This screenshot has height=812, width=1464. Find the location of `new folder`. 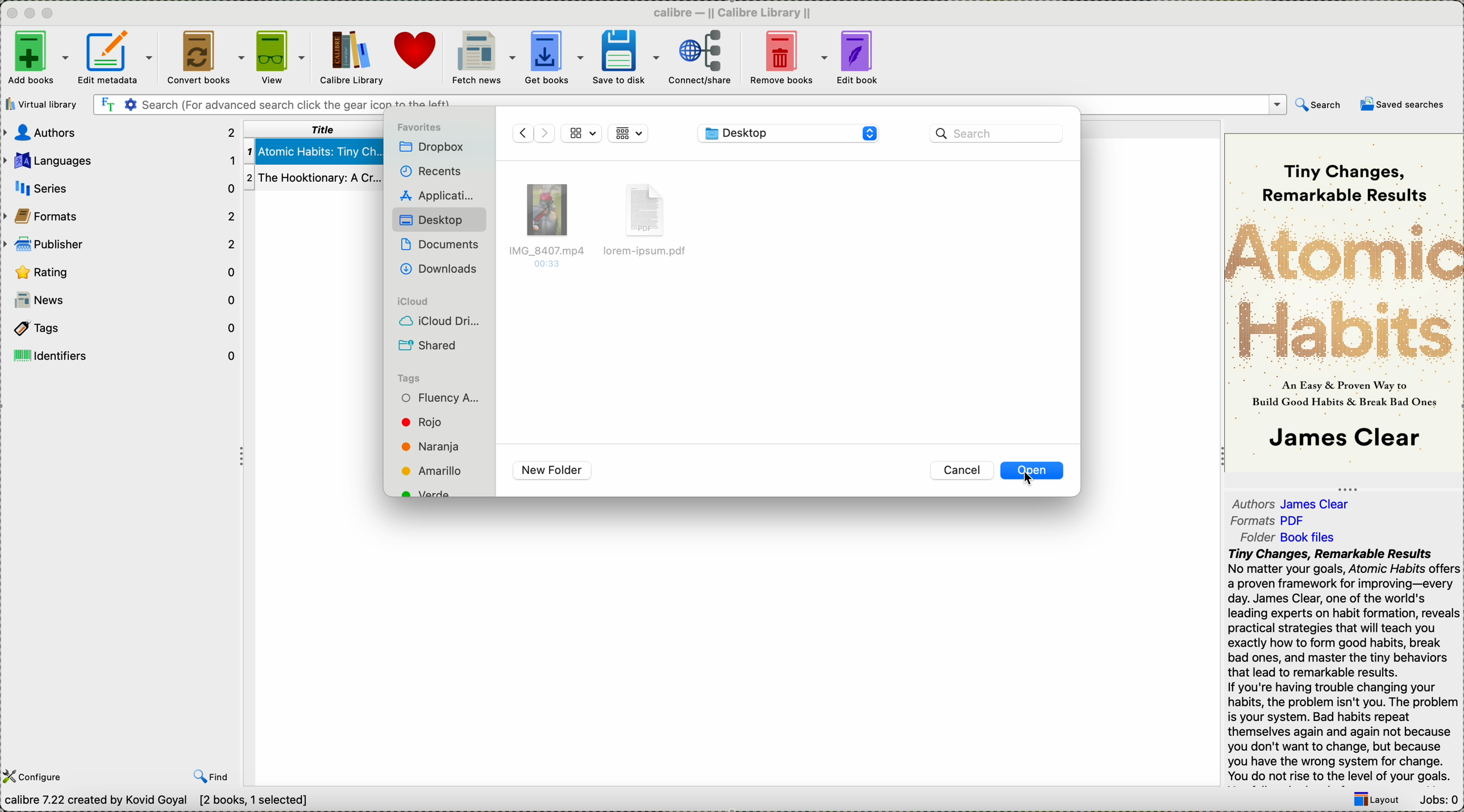

new folder is located at coordinates (554, 470).